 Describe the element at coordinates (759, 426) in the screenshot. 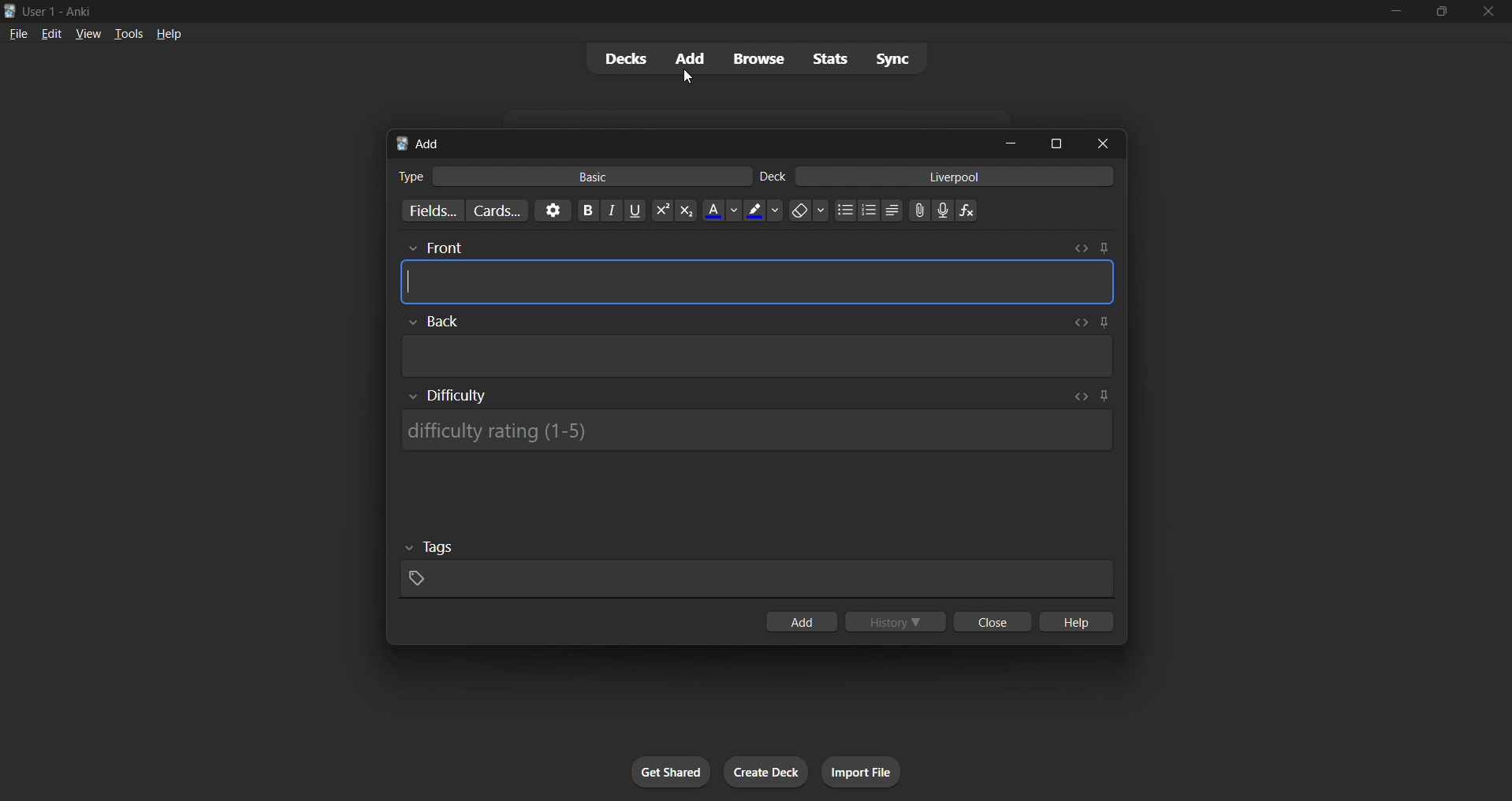

I see `card difficulty input box` at that location.